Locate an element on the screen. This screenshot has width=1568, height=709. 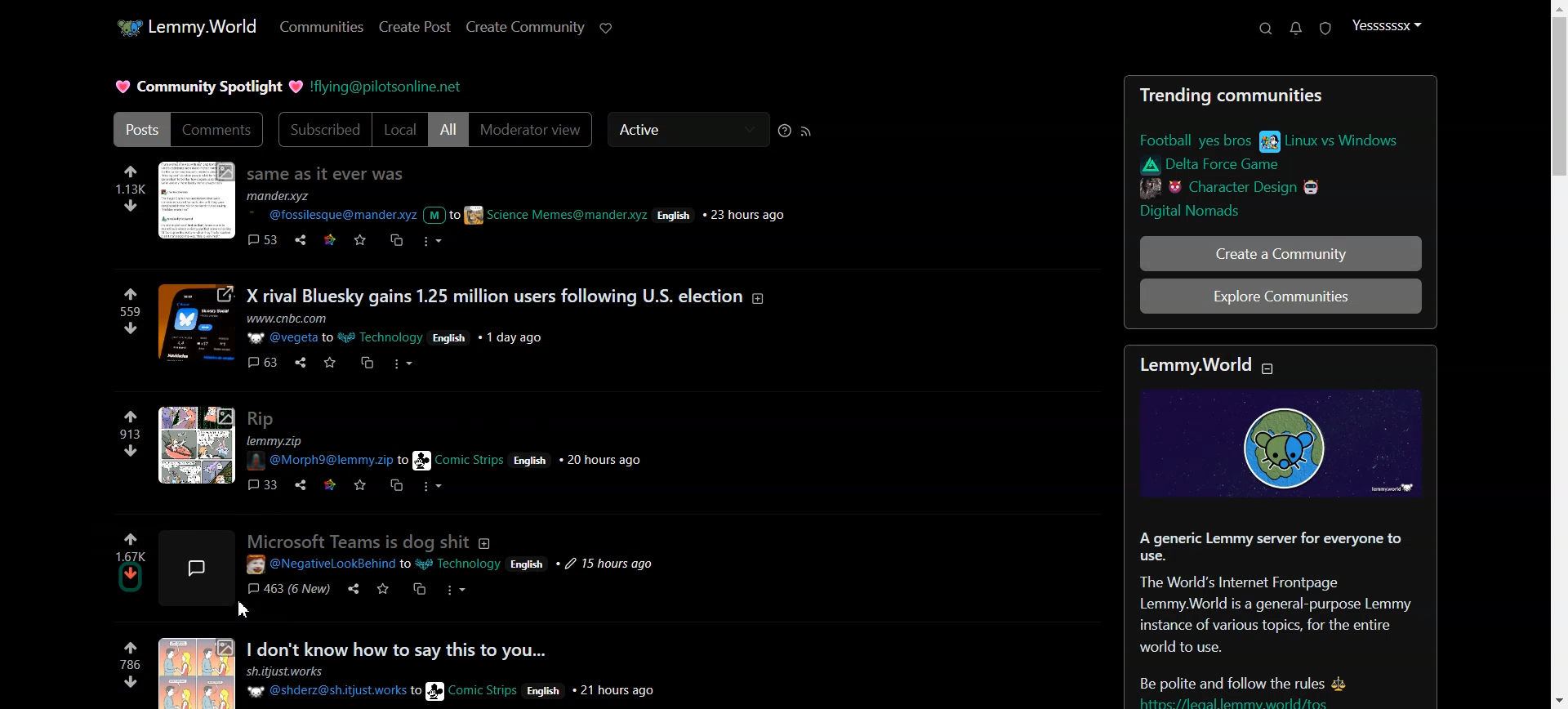
Text is located at coordinates (207, 86).